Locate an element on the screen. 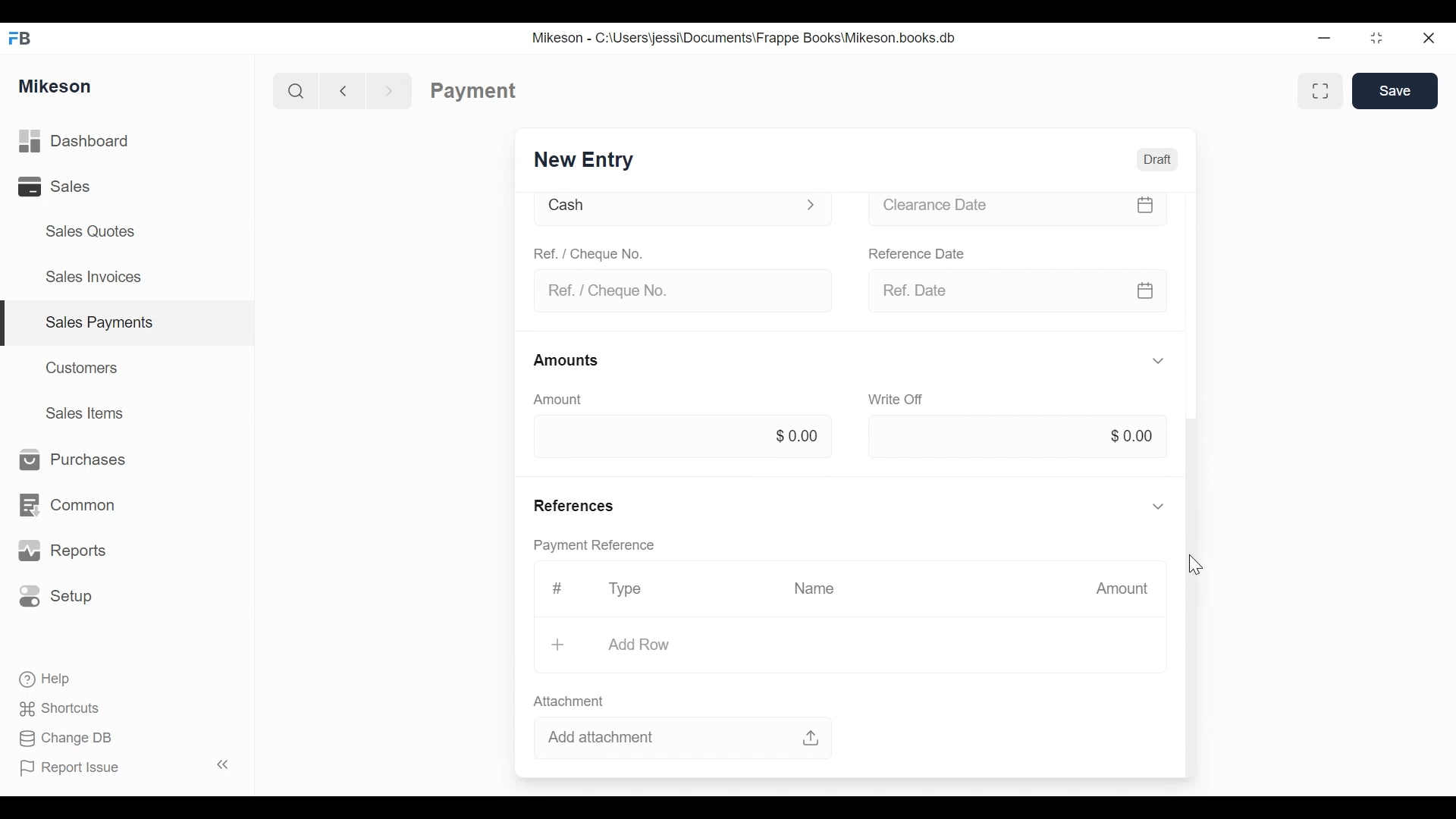 The height and width of the screenshot is (819, 1456). cash is located at coordinates (566, 206).